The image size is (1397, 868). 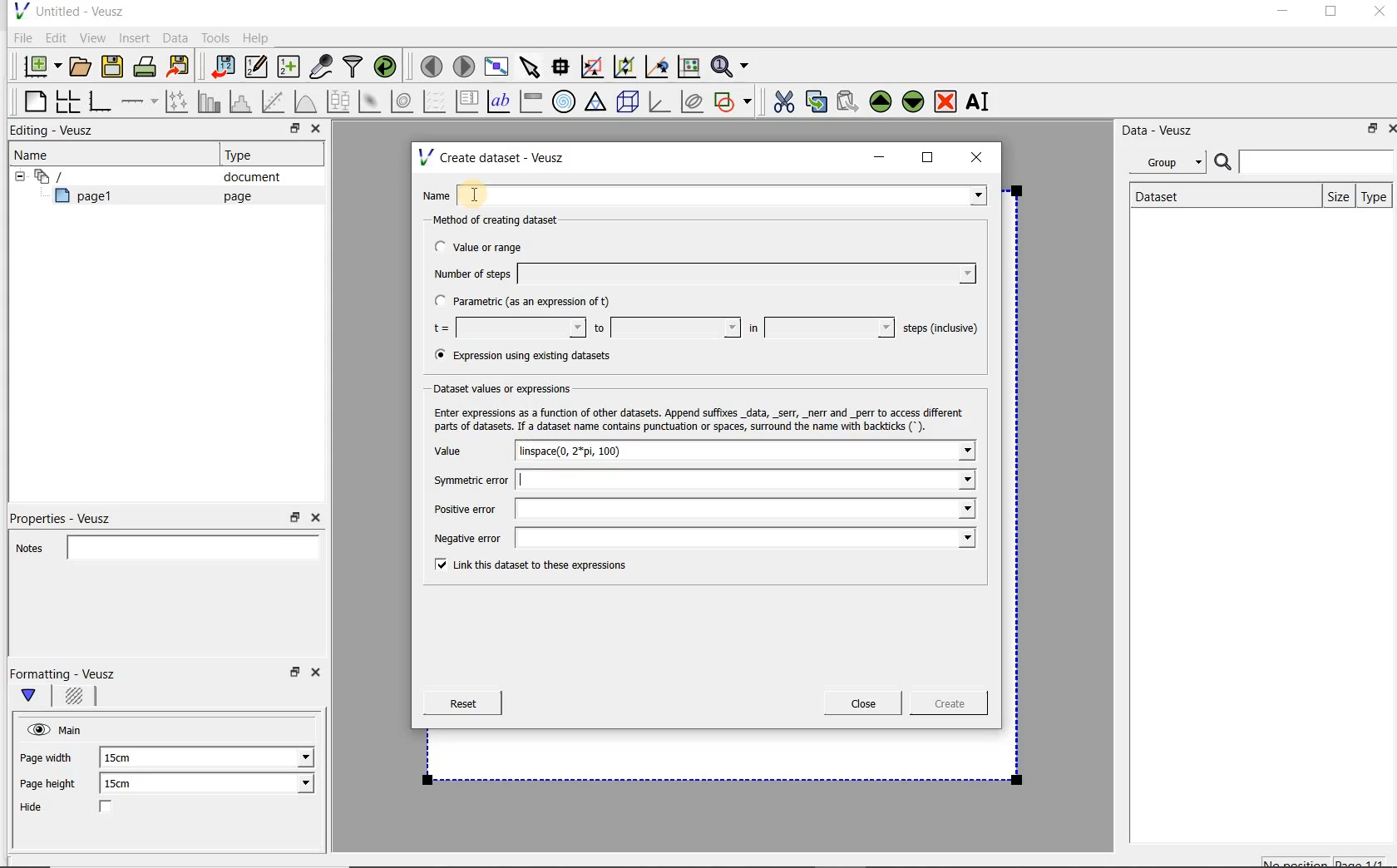 What do you see at coordinates (944, 706) in the screenshot?
I see `Create` at bounding box center [944, 706].